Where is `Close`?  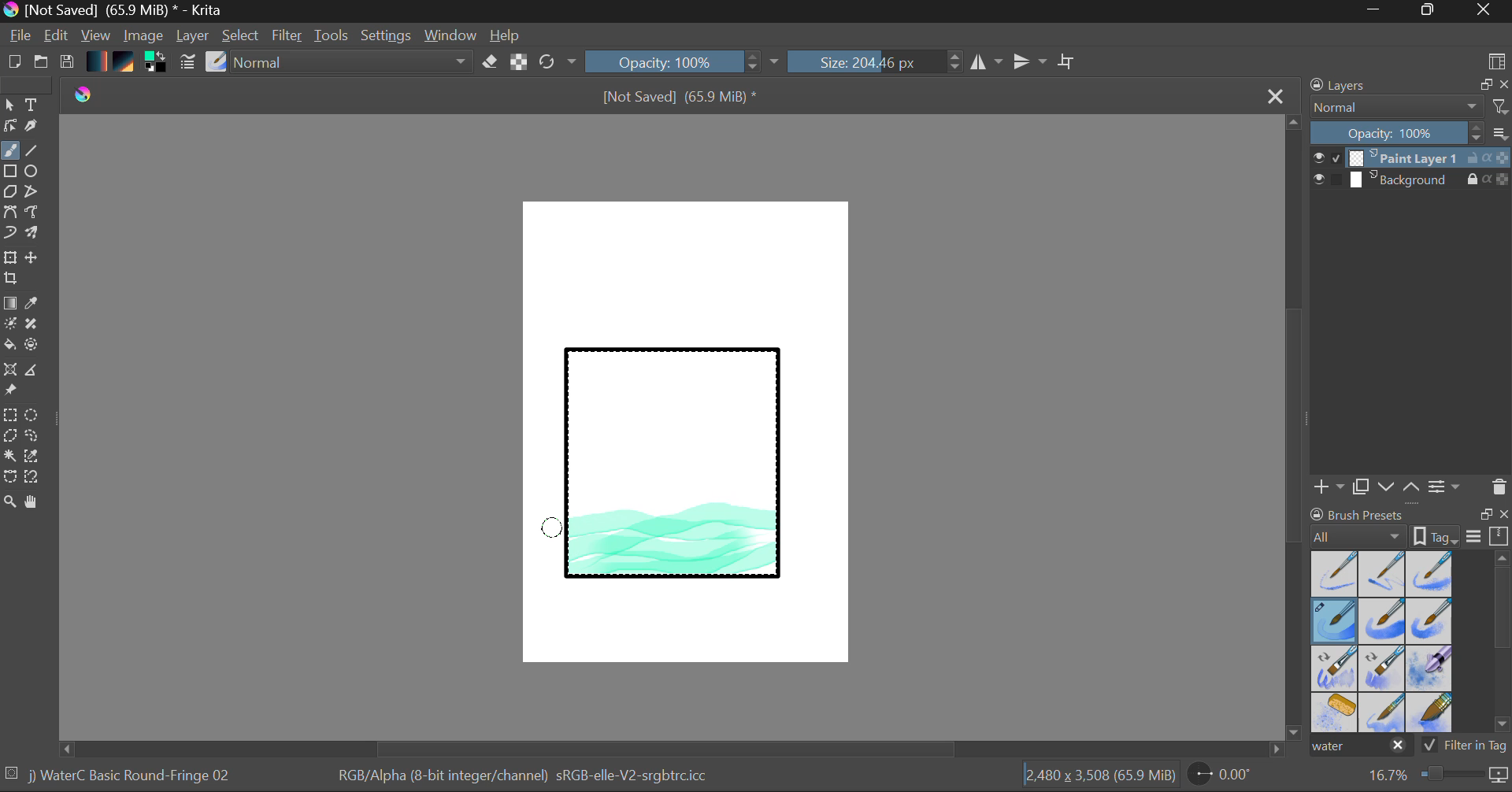
Close is located at coordinates (1485, 11).